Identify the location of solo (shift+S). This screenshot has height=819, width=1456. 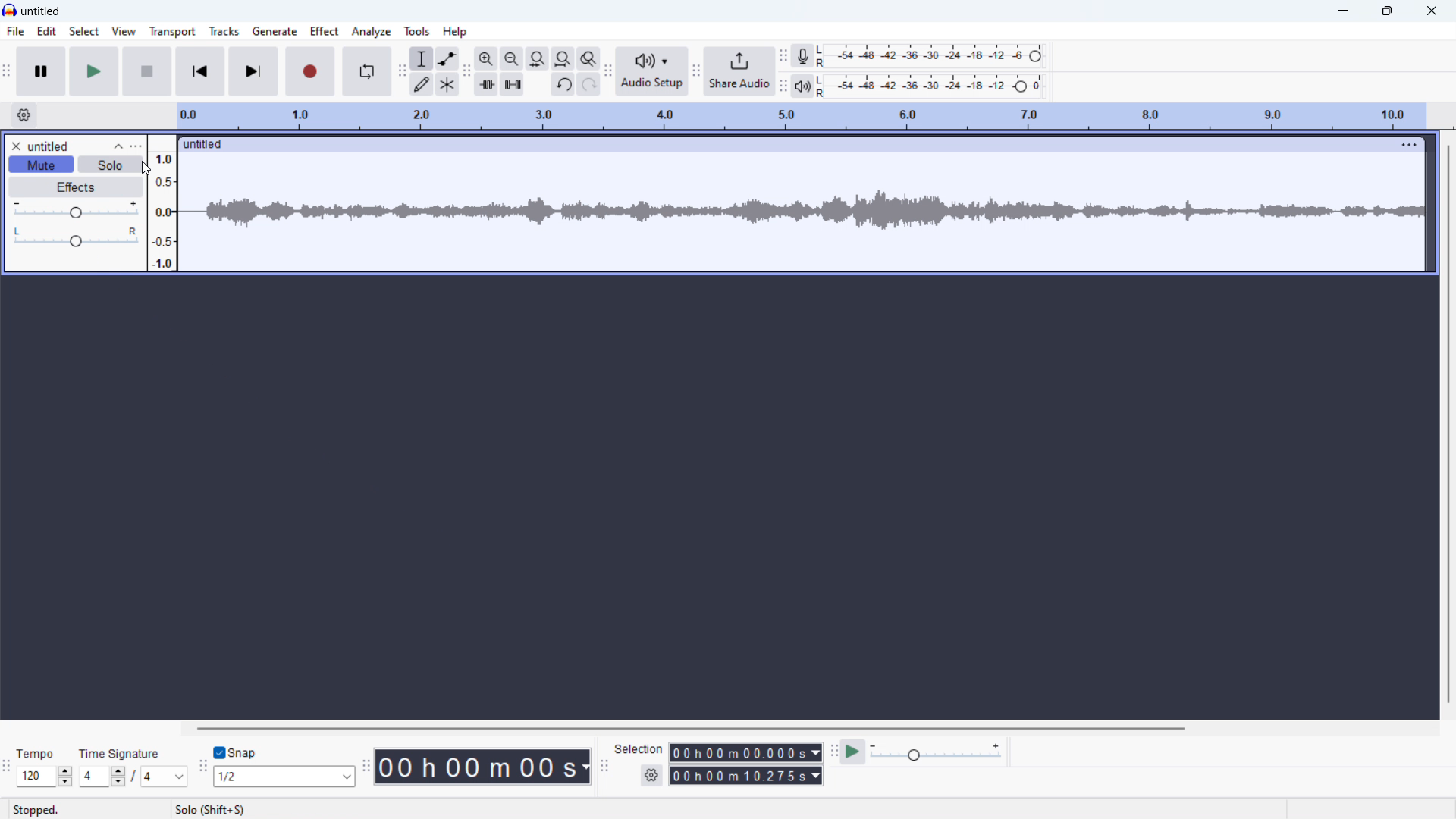
(213, 810).